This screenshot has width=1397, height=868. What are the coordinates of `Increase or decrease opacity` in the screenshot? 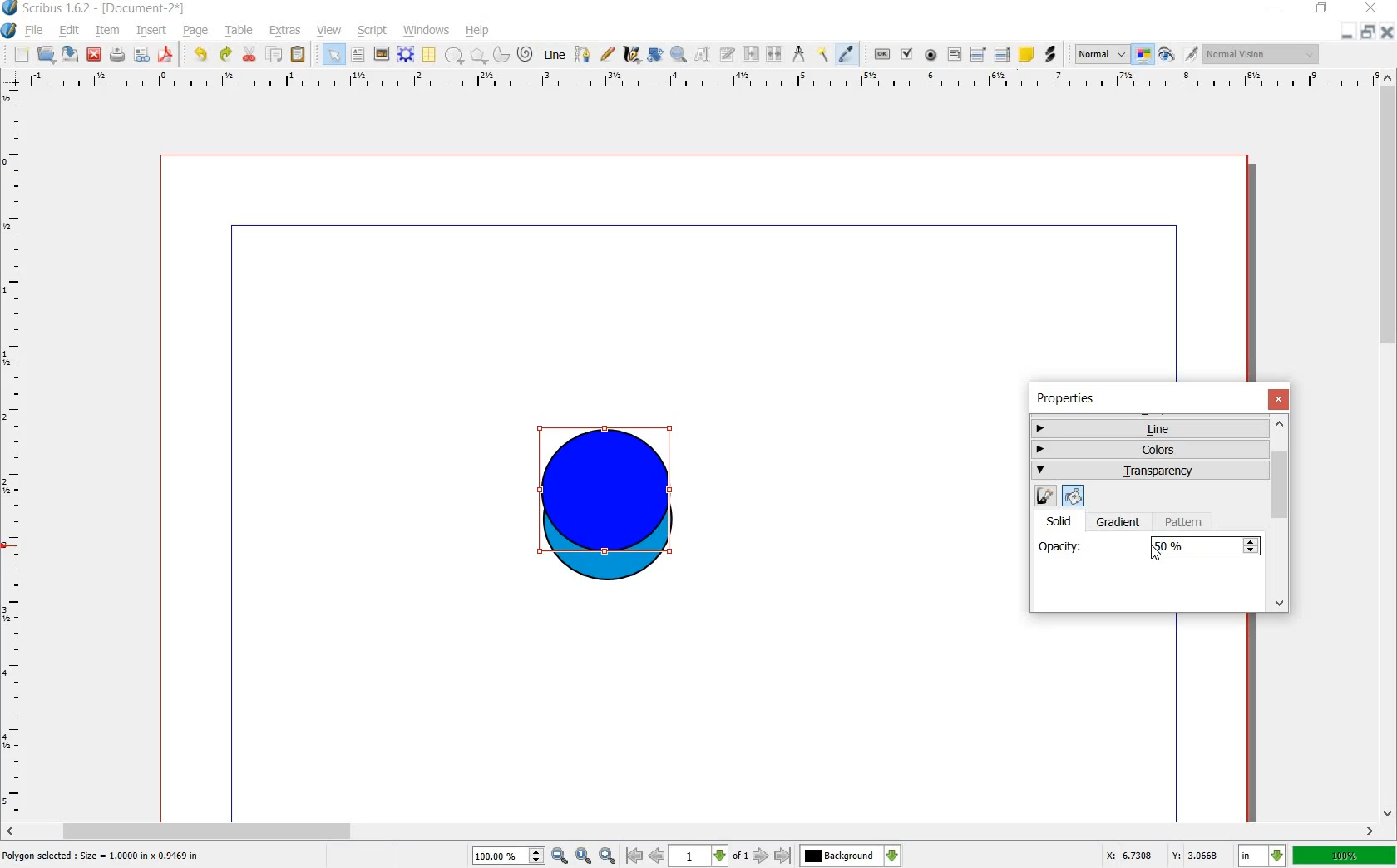 It's located at (1251, 547).